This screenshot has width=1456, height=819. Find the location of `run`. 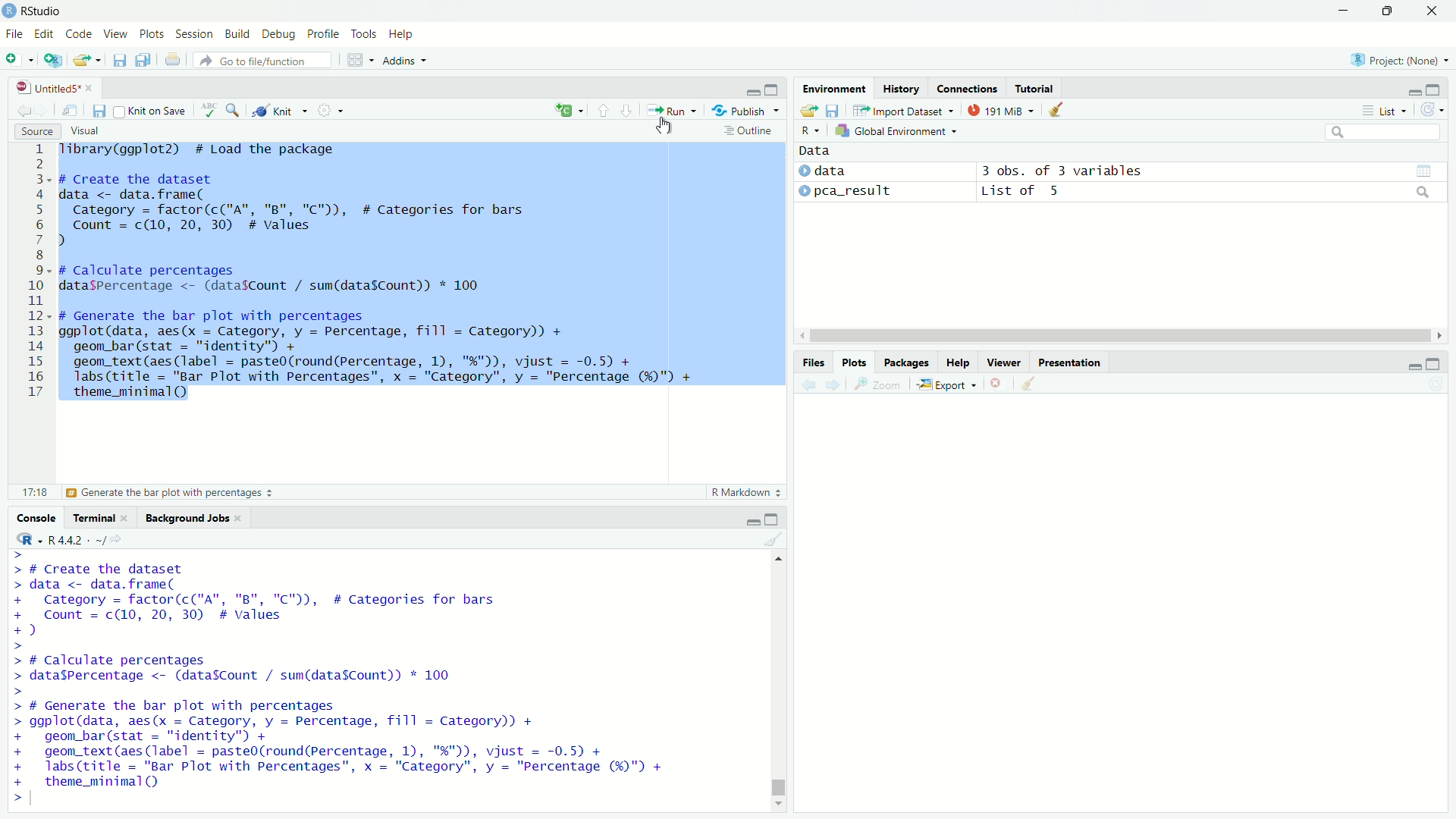

run is located at coordinates (669, 111).